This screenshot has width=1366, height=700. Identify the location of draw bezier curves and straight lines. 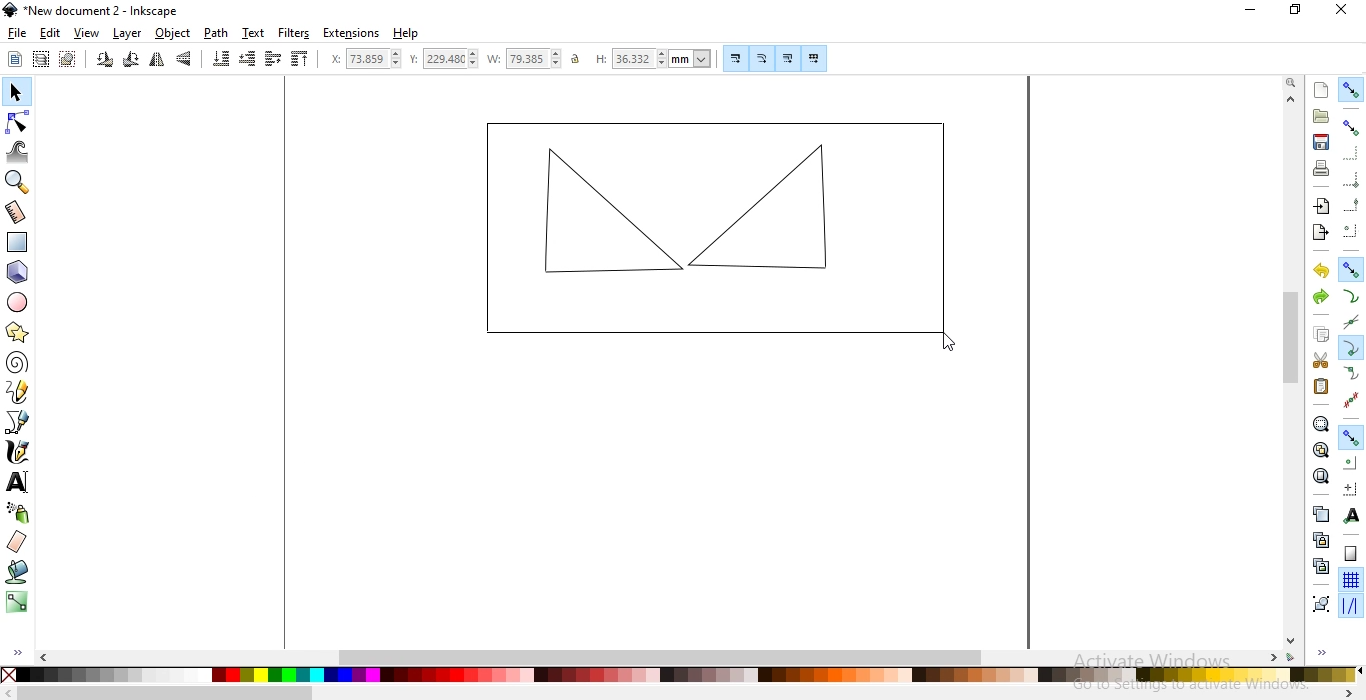
(19, 424).